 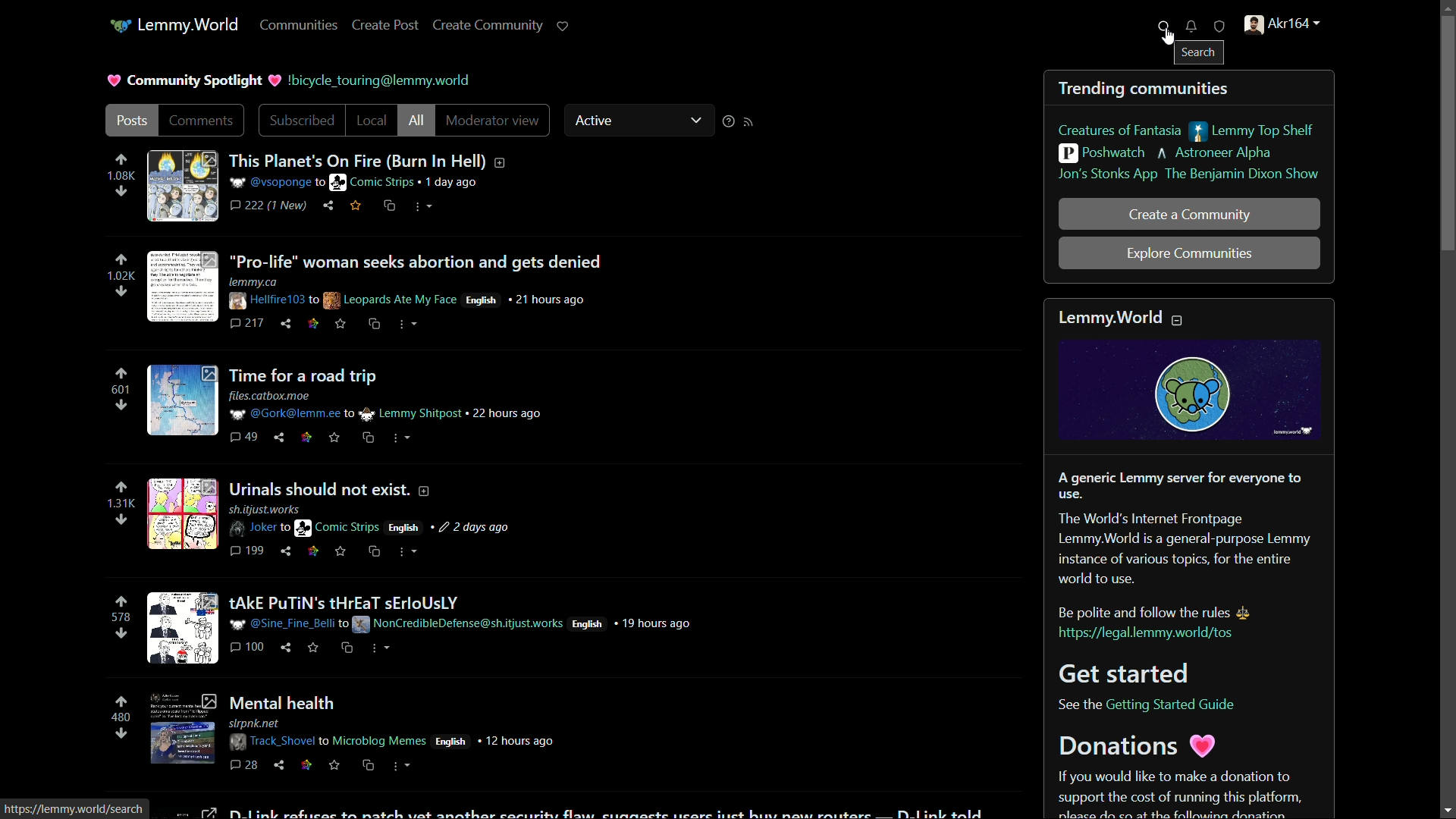 What do you see at coordinates (121, 733) in the screenshot?
I see `downvote` at bounding box center [121, 733].